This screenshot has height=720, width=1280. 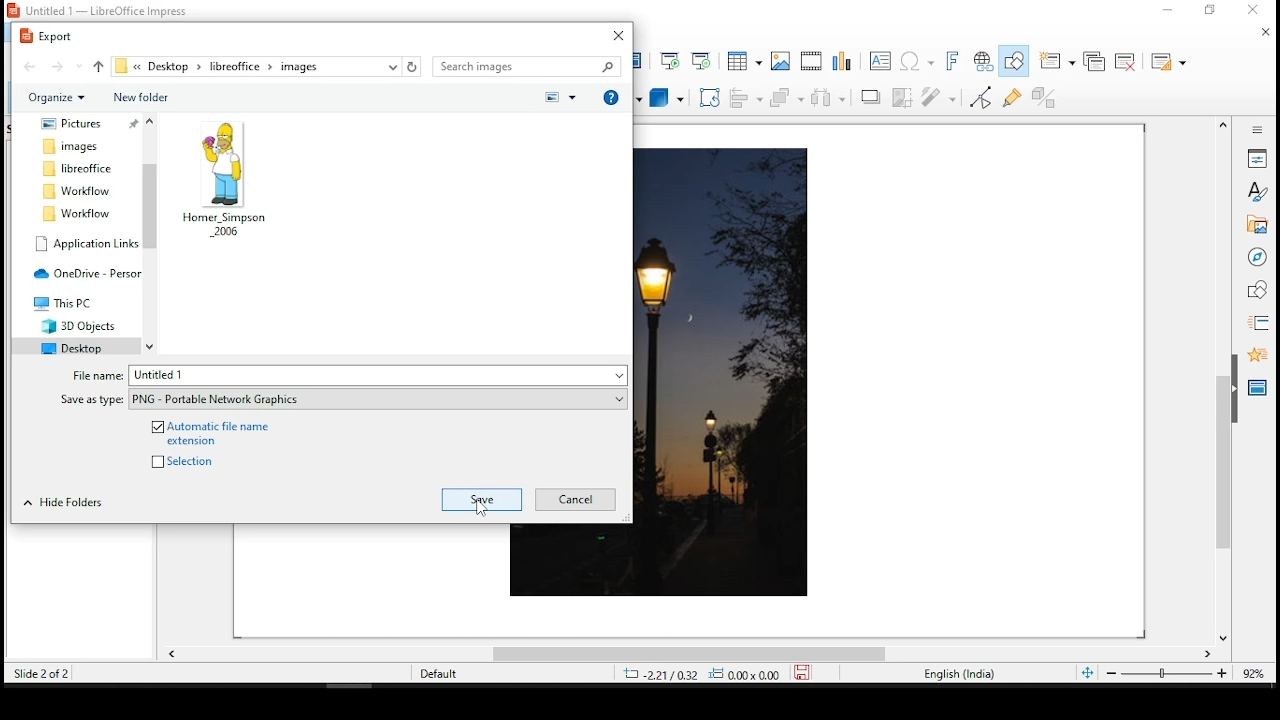 I want to click on folder, so click(x=72, y=124).